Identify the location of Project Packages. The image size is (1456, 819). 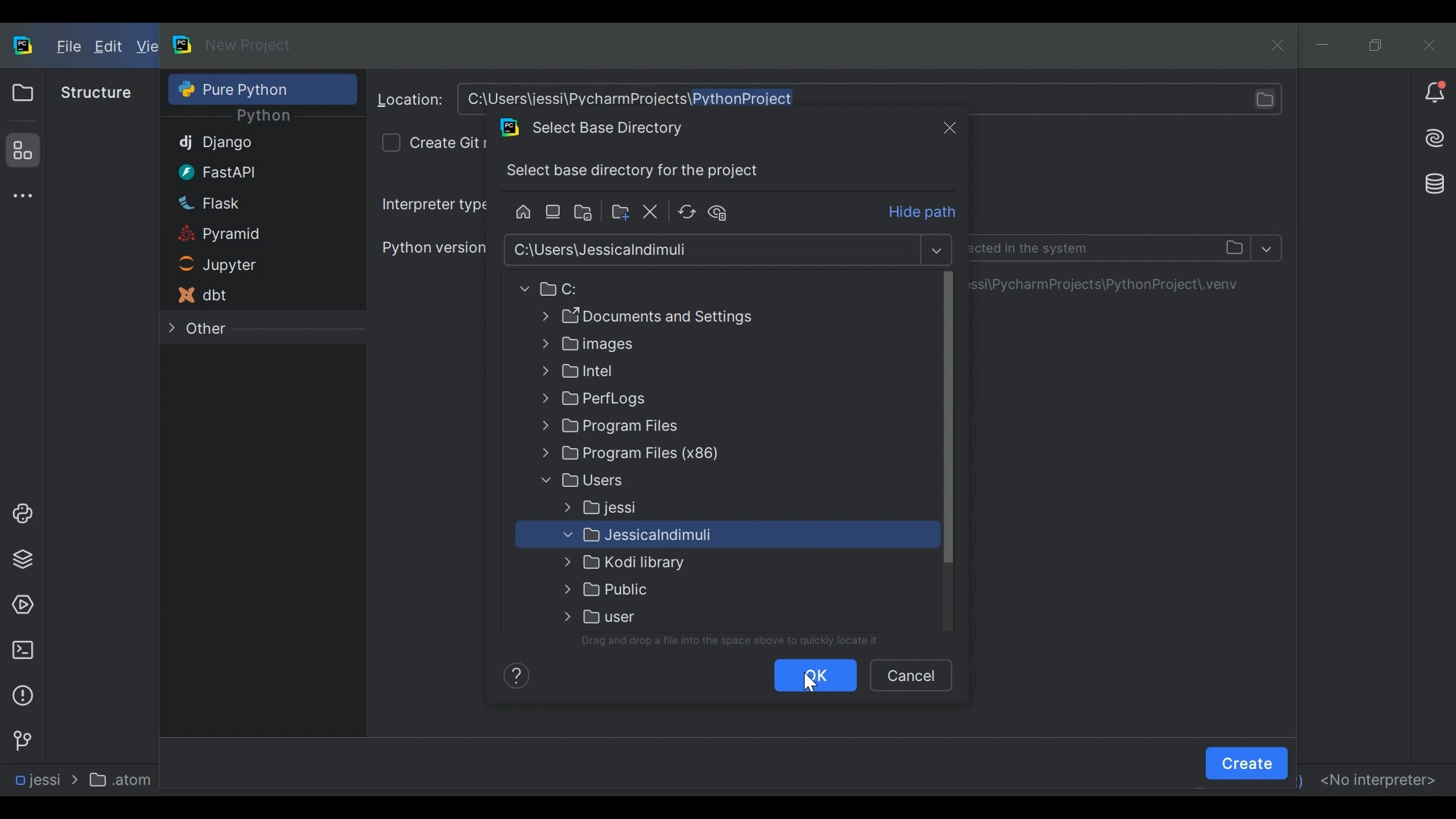
(20, 560).